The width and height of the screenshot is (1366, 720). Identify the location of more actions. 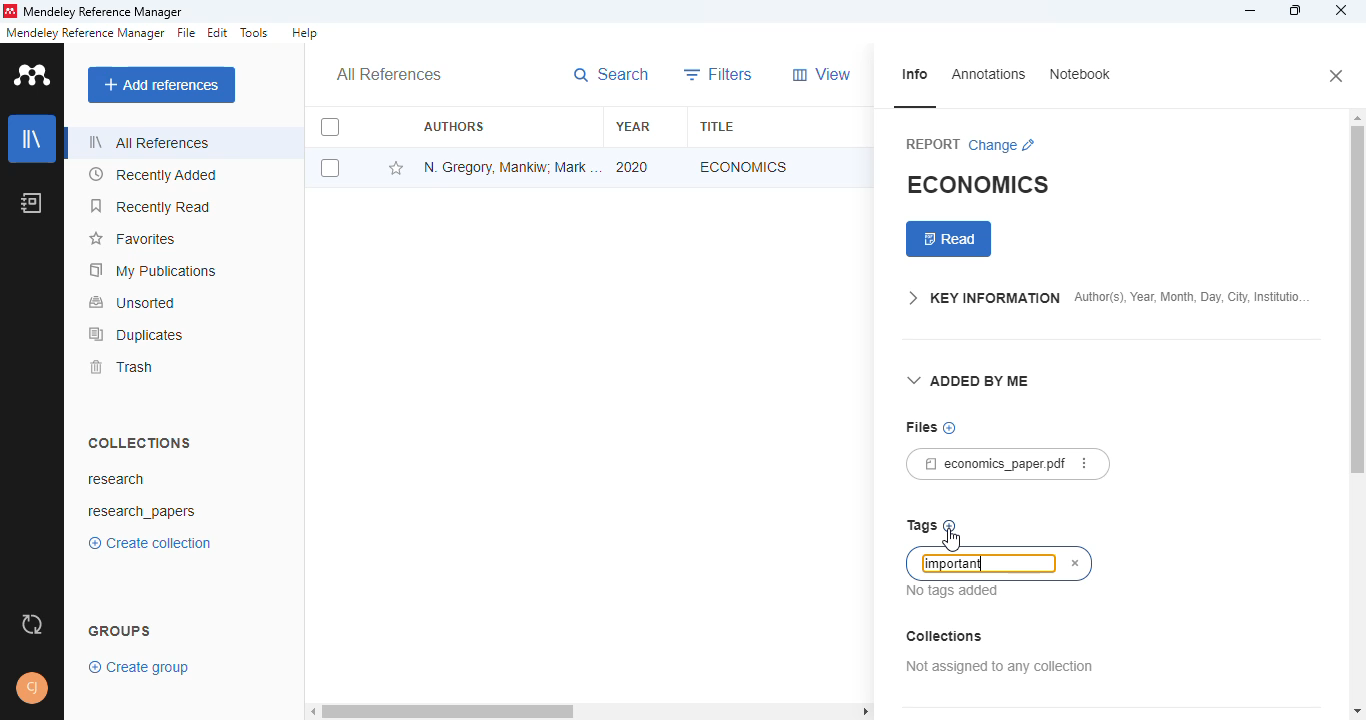
(1084, 463).